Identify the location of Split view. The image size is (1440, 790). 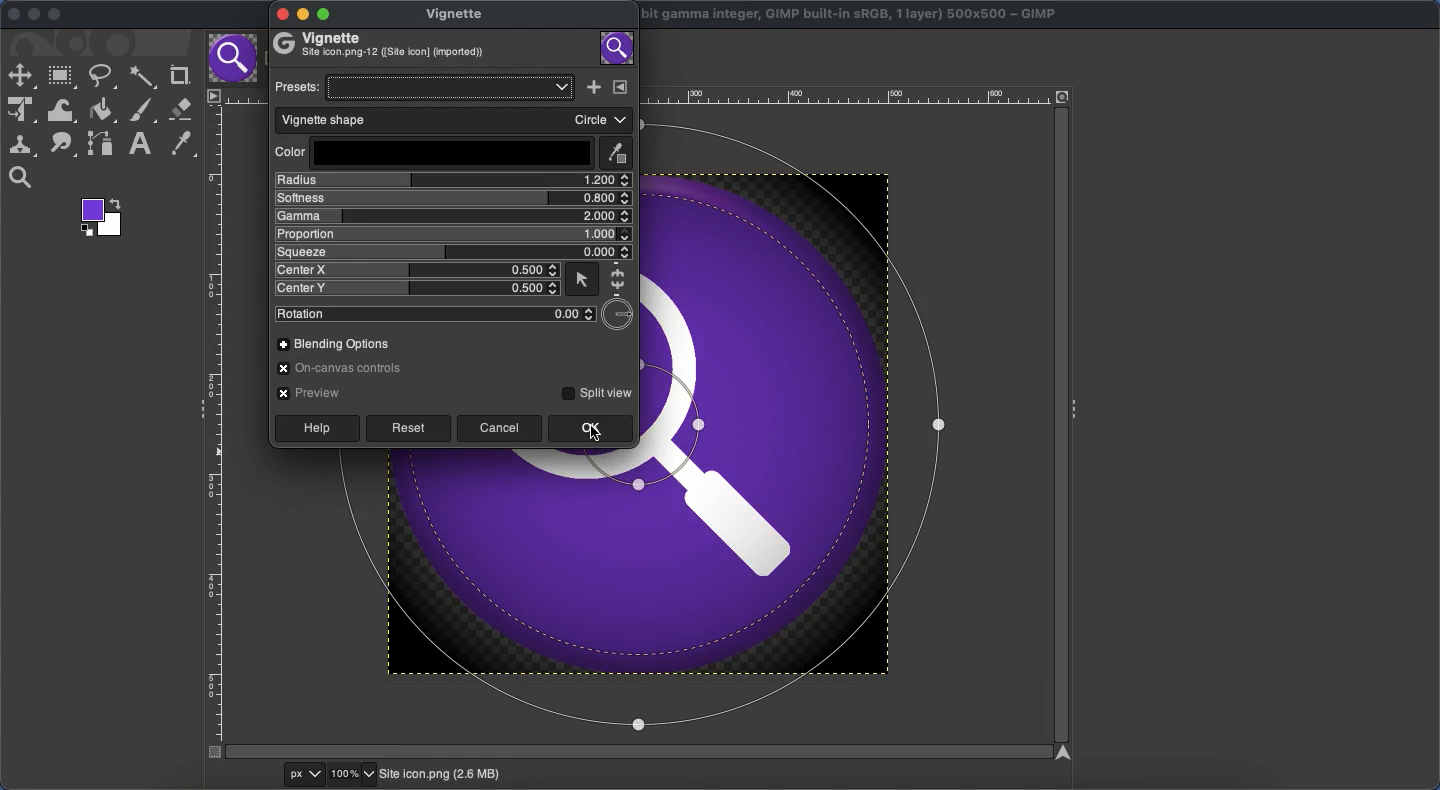
(599, 390).